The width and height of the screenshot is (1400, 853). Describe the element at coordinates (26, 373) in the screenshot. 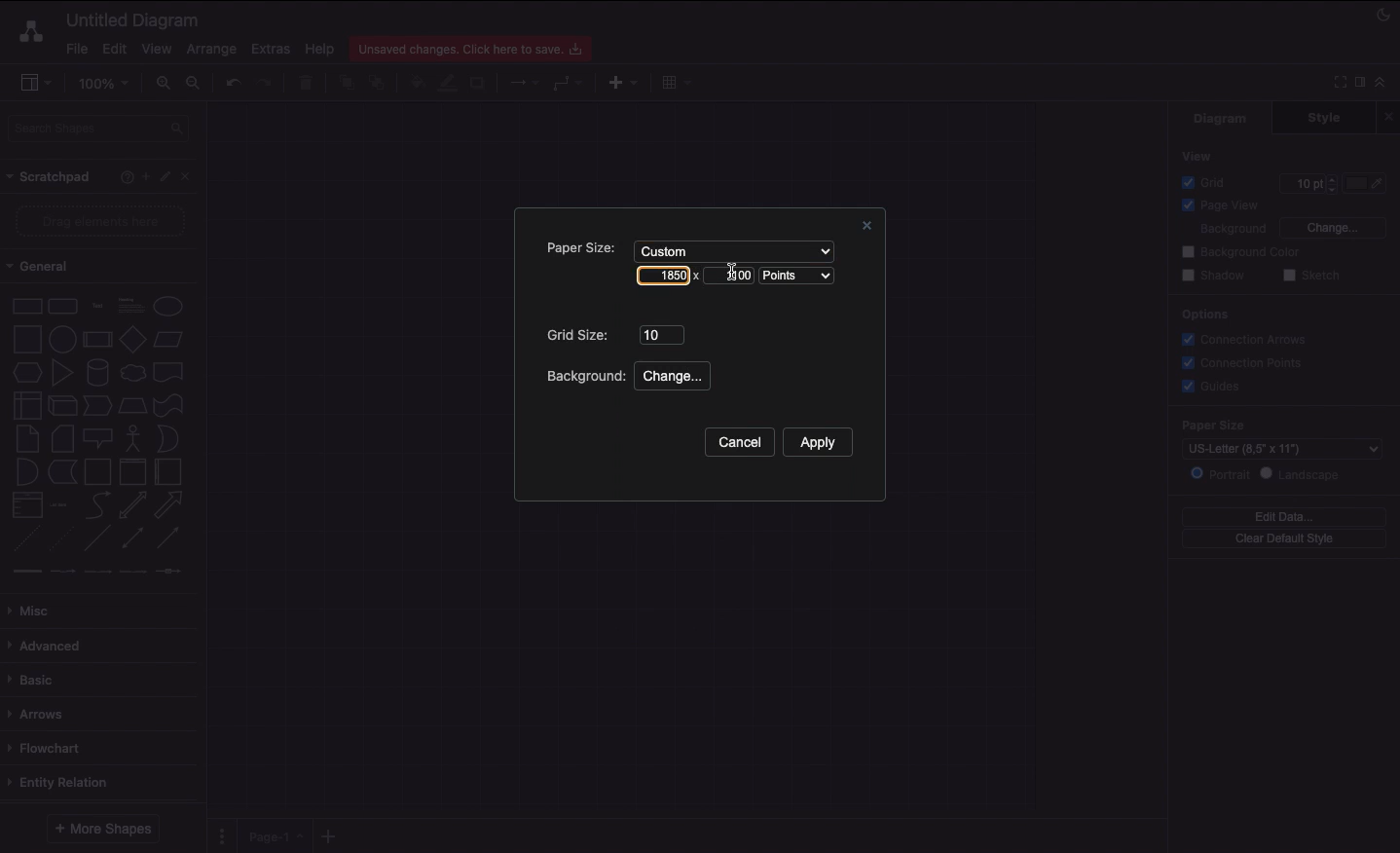

I see `Hexagon` at that location.